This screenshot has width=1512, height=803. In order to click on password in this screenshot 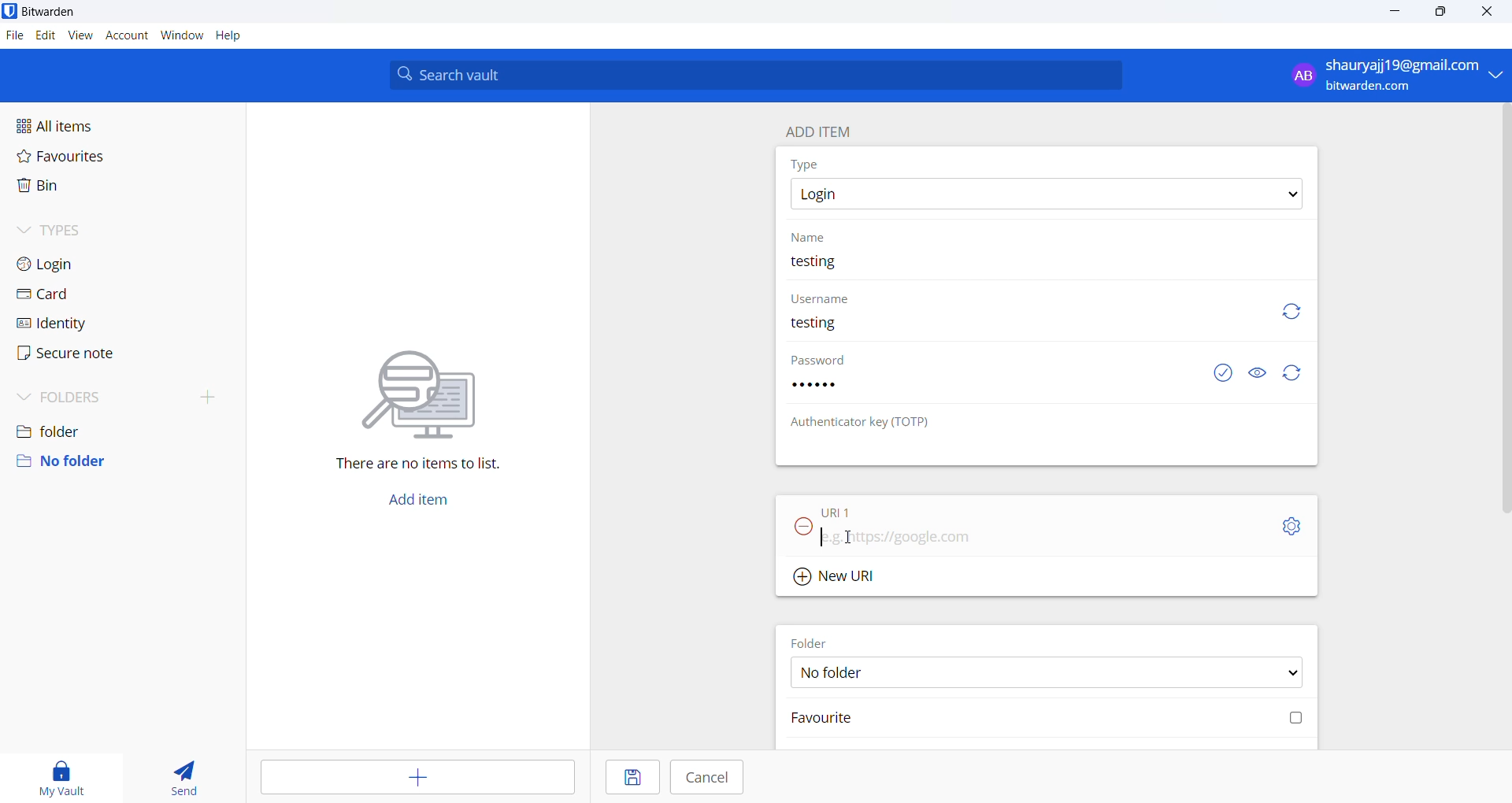, I will do `click(826, 361)`.